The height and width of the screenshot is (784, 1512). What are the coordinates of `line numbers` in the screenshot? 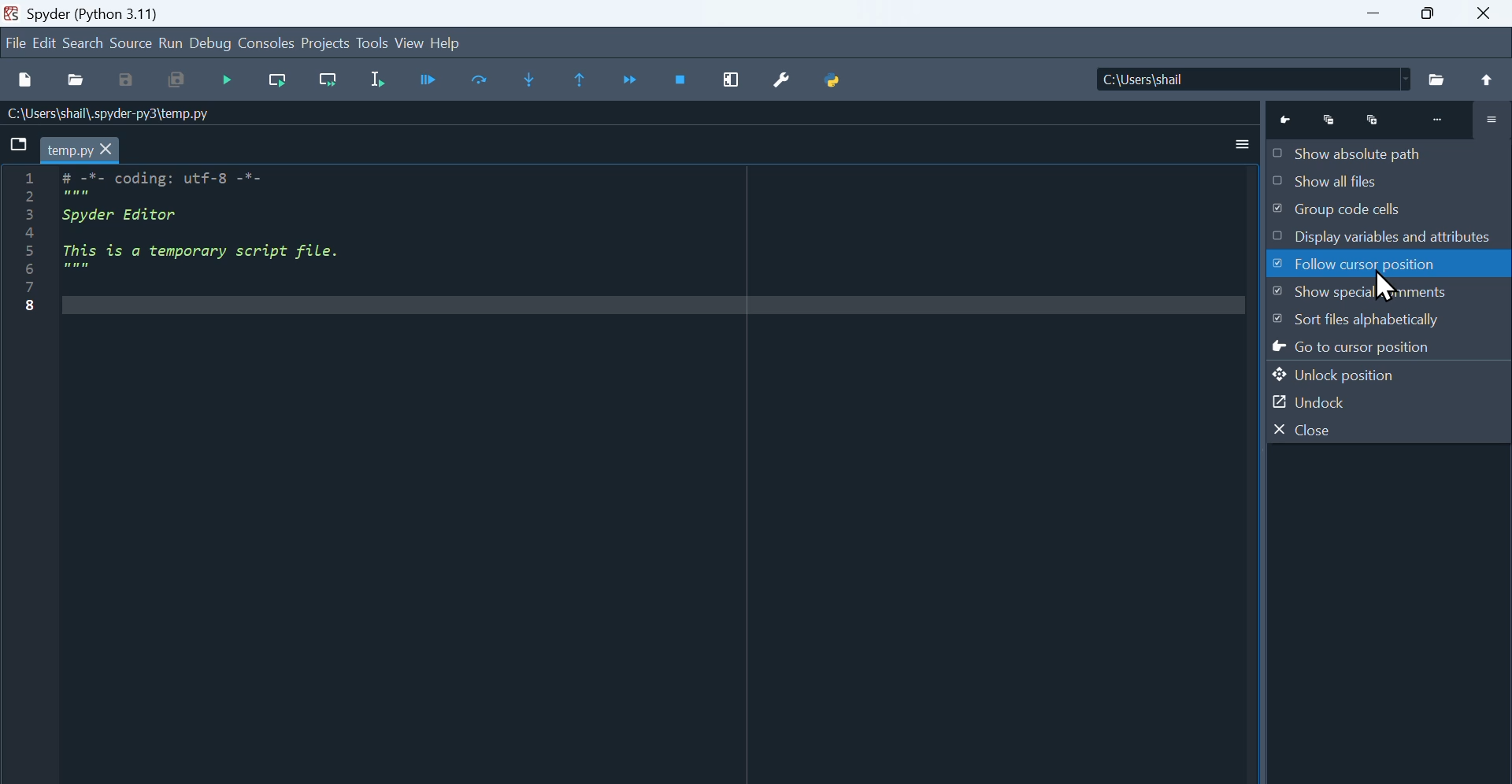 It's located at (31, 248).